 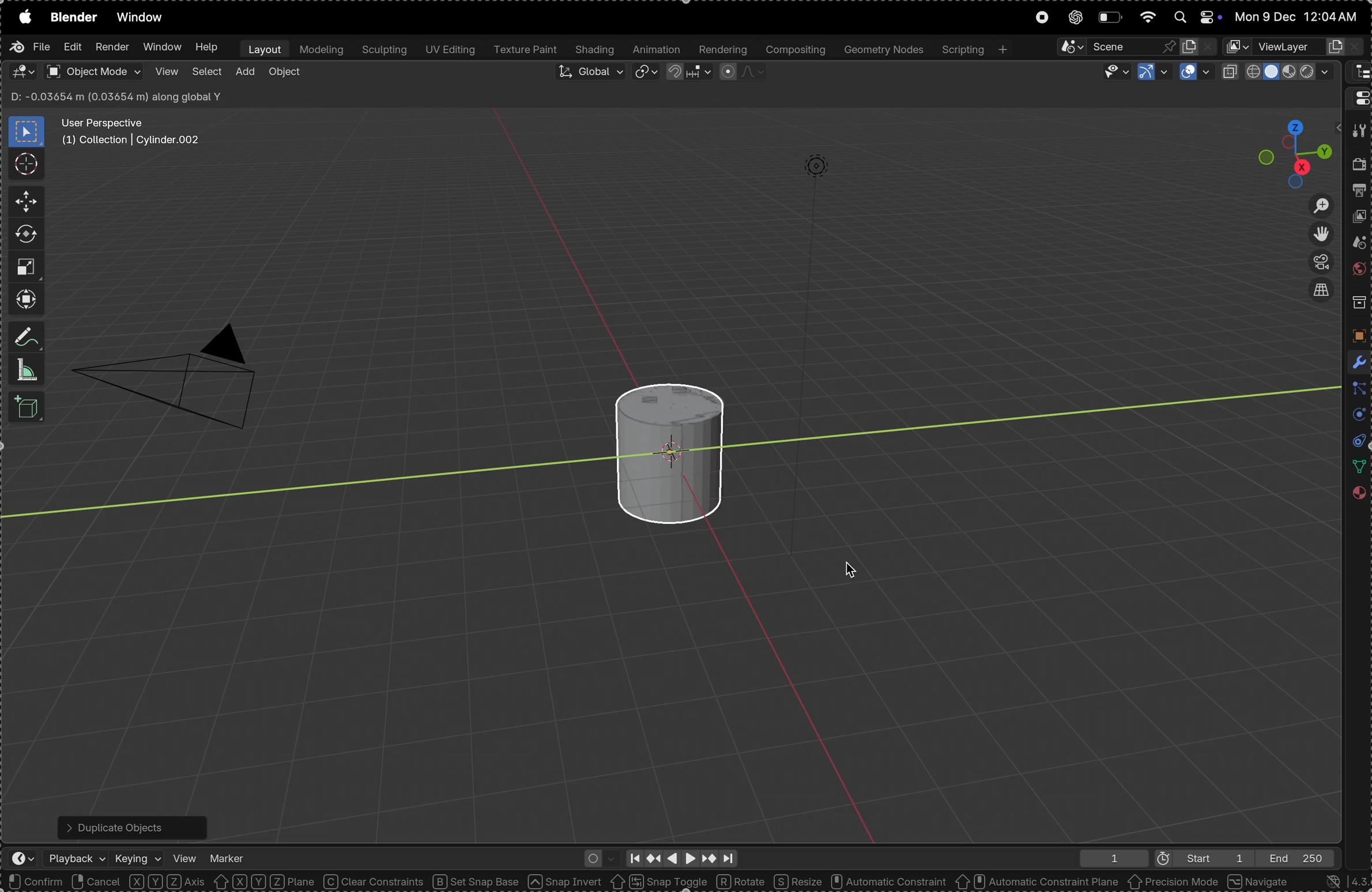 What do you see at coordinates (448, 51) in the screenshot?
I see `uv editing` at bounding box center [448, 51].